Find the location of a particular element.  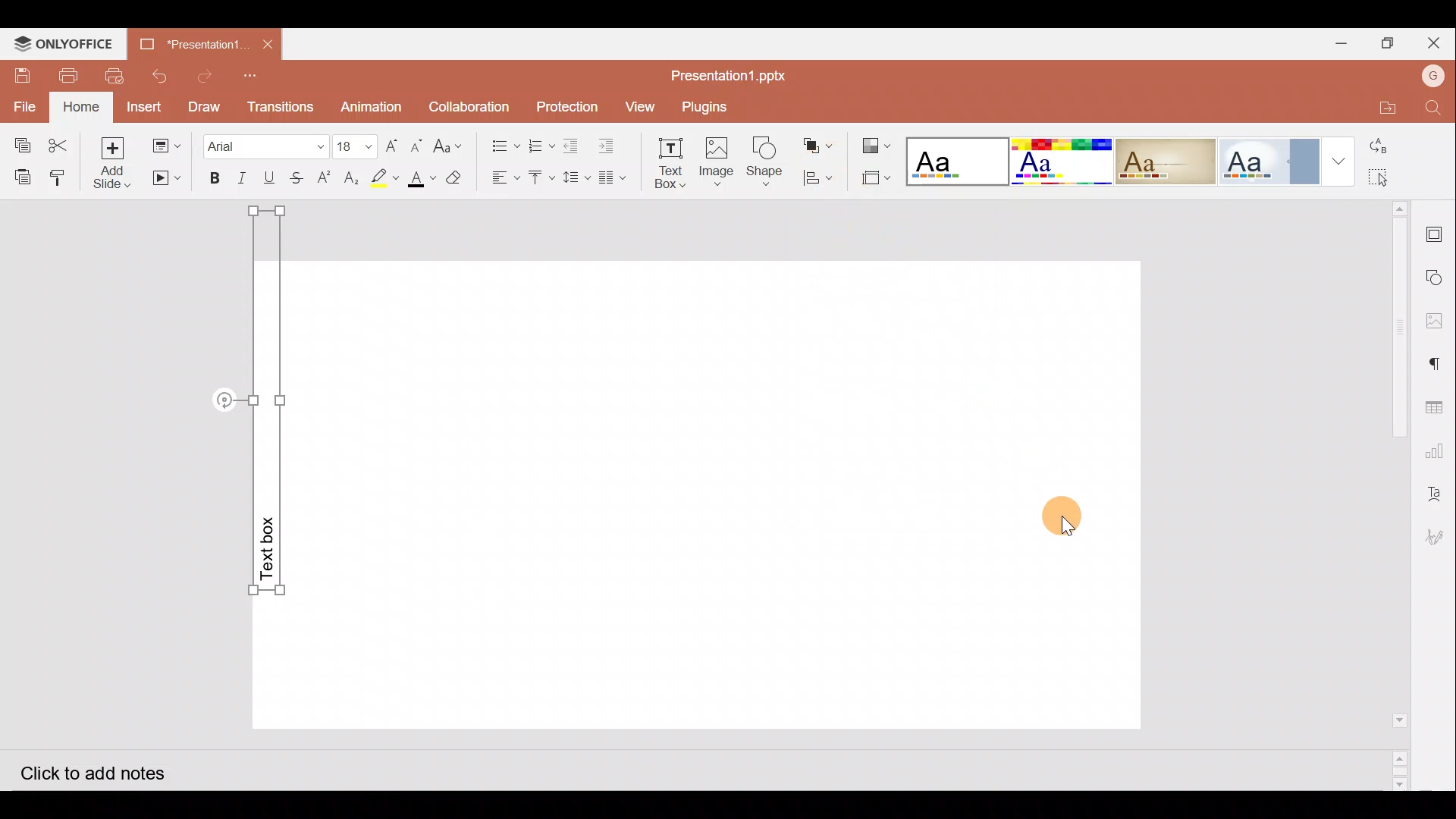

Increase font size is located at coordinates (394, 144).